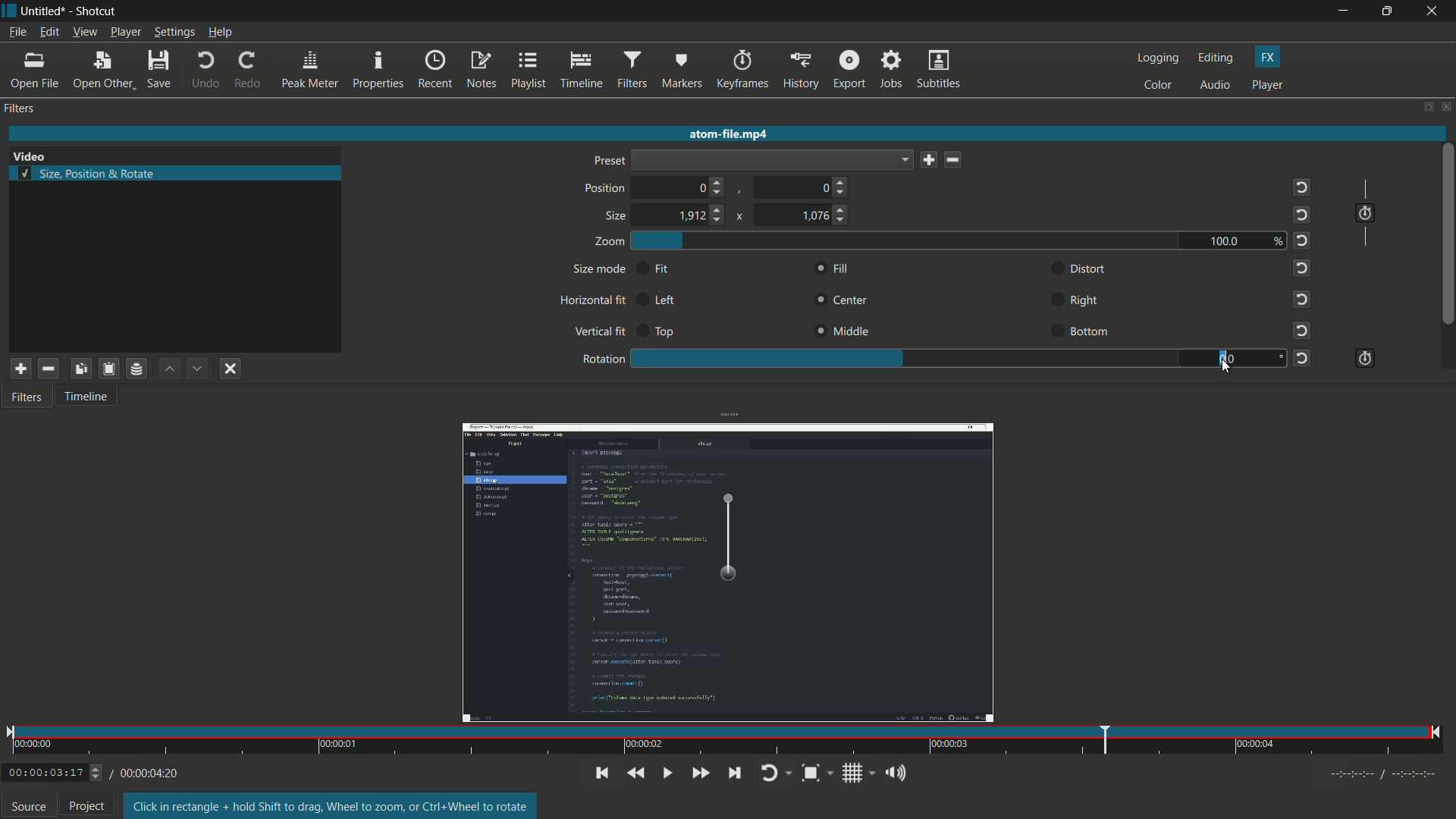 This screenshot has width=1456, height=819. Describe the element at coordinates (606, 189) in the screenshot. I see `position` at that location.